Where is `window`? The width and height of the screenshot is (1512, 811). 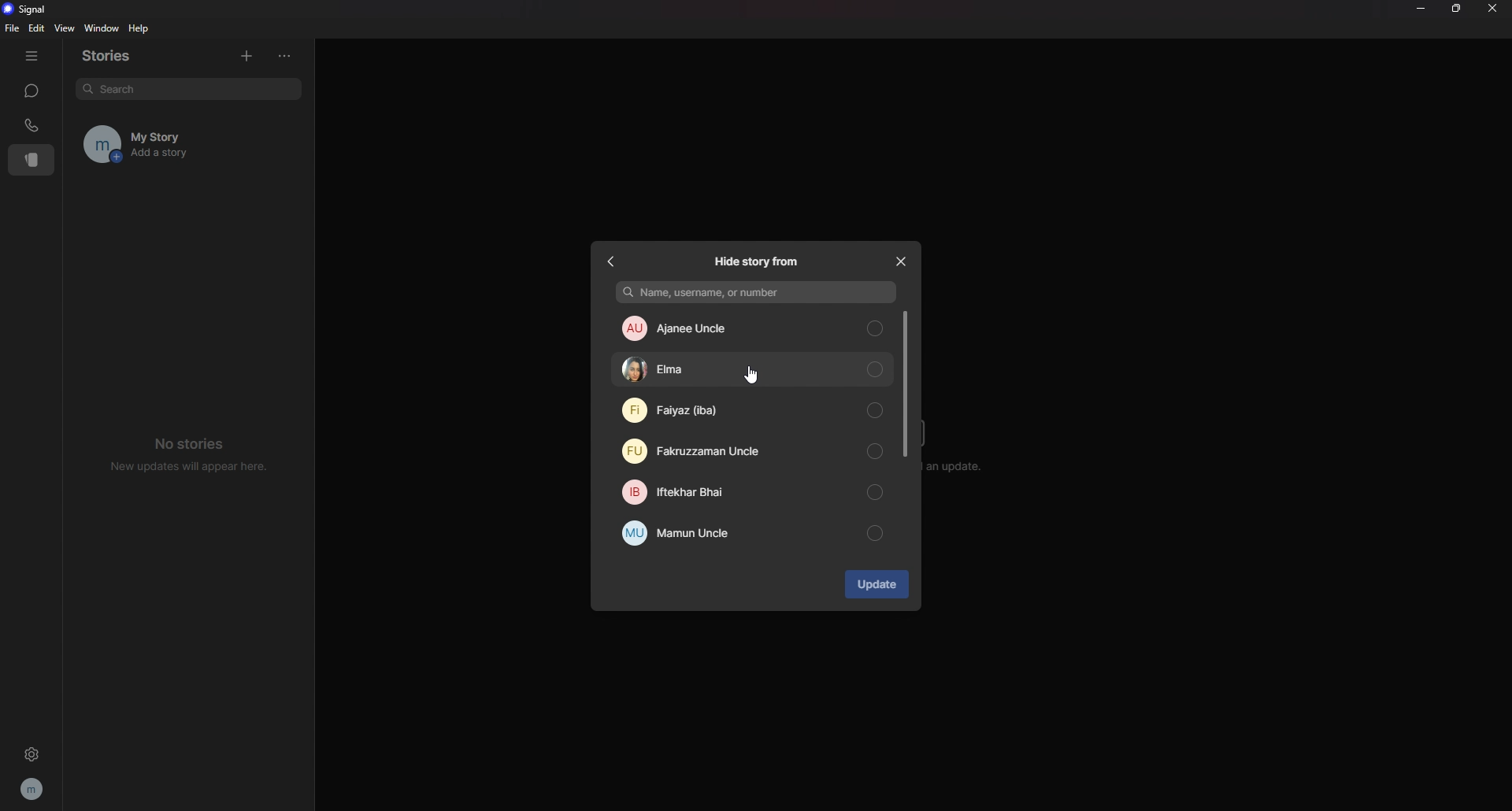
window is located at coordinates (104, 29).